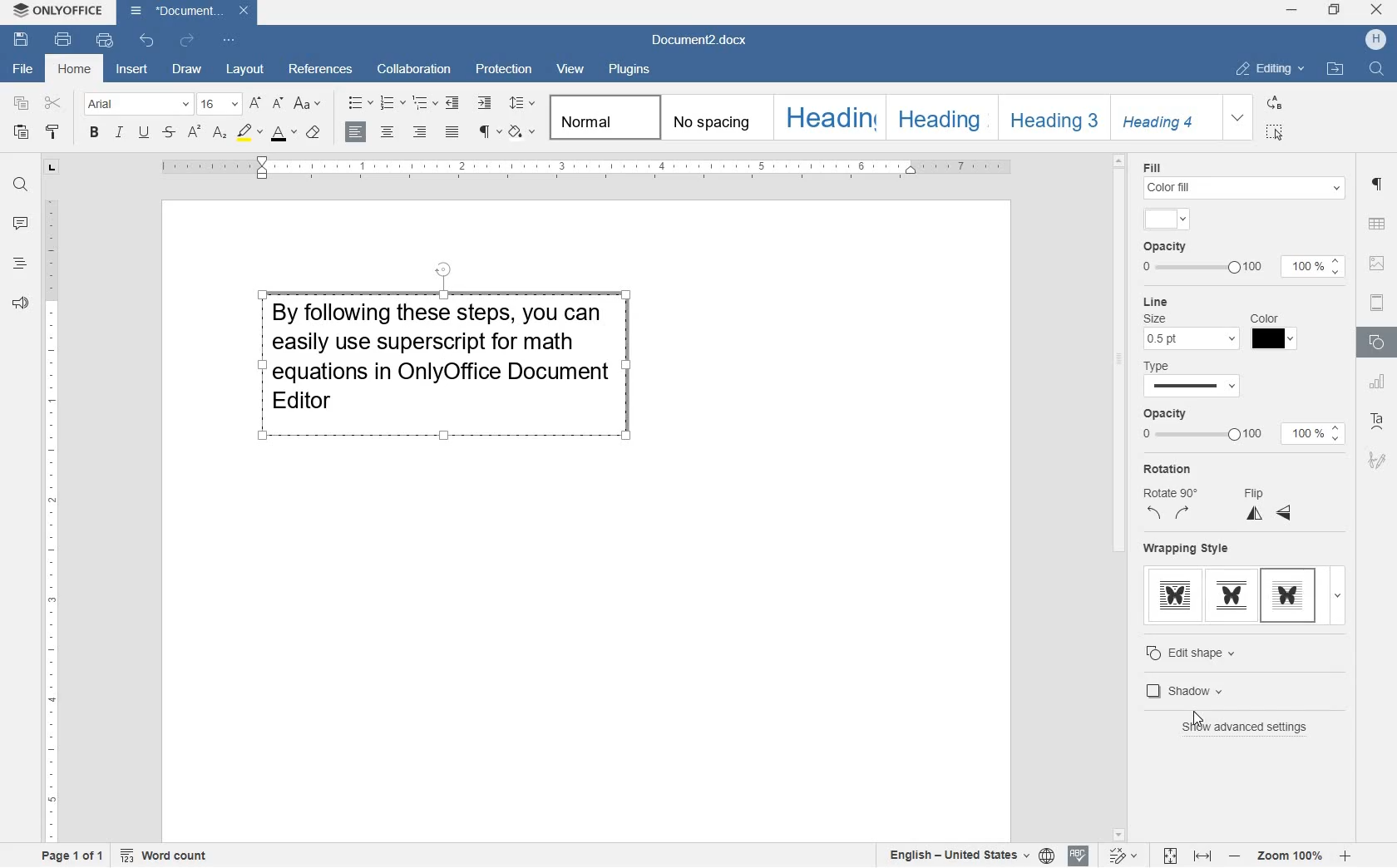  What do you see at coordinates (218, 104) in the screenshot?
I see `font size` at bounding box center [218, 104].